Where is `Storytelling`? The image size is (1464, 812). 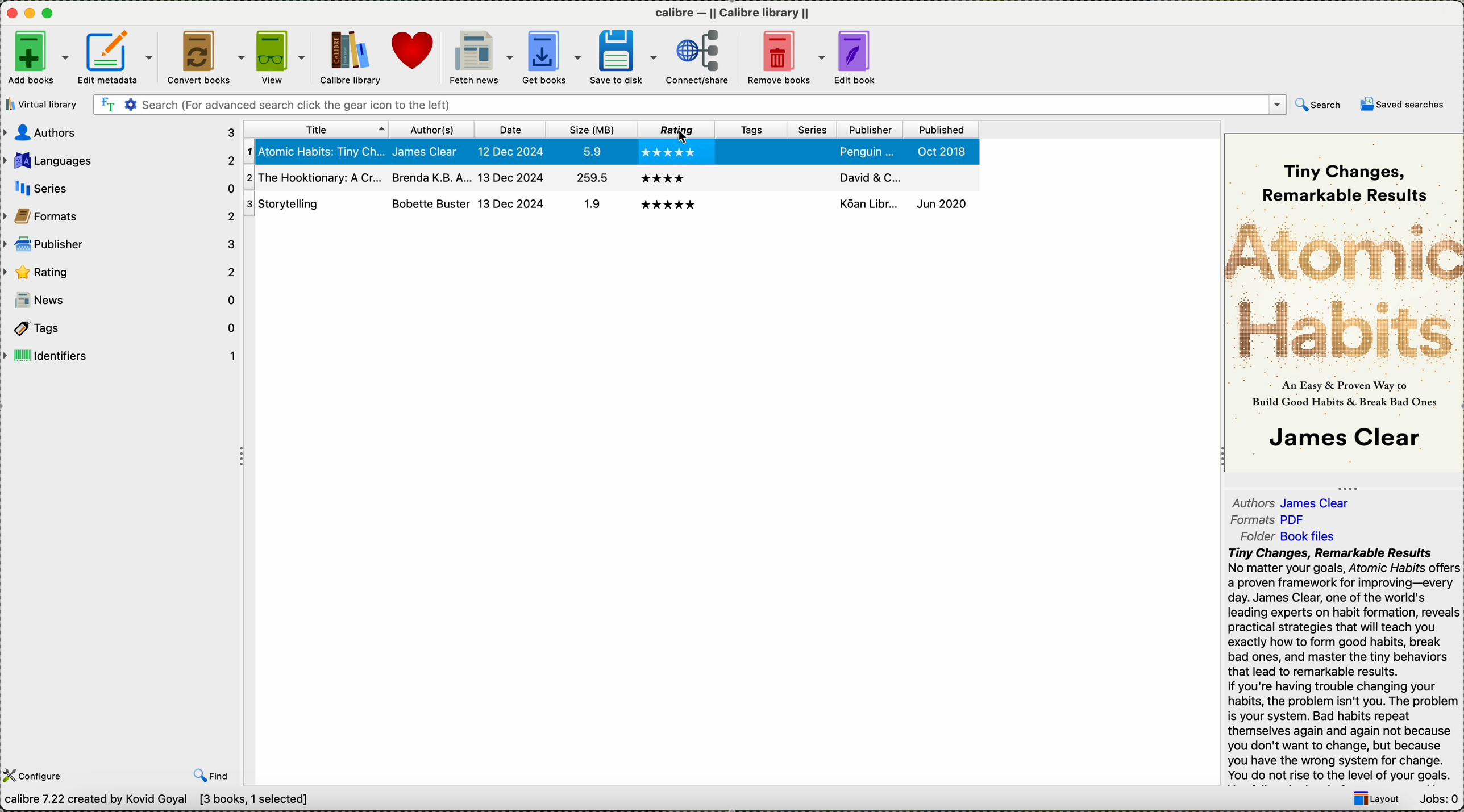
Storytelling is located at coordinates (312, 204).